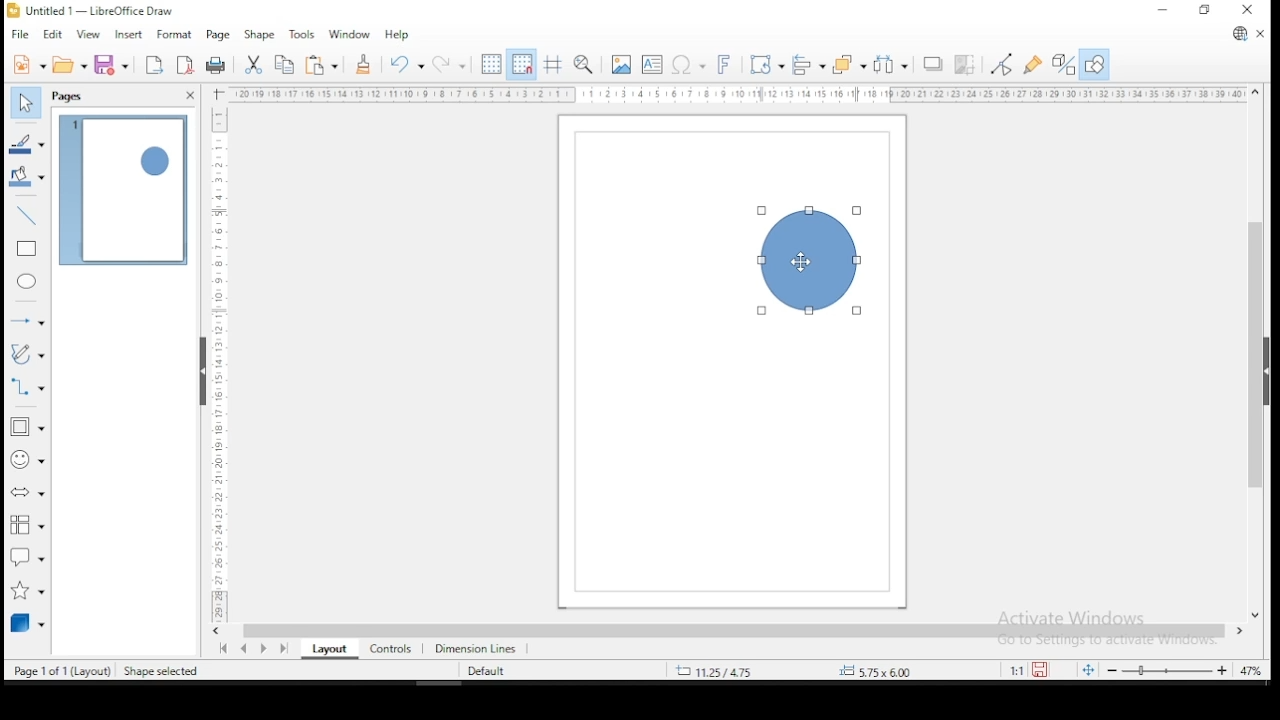 The height and width of the screenshot is (720, 1280). I want to click on zoom slider, so click(1166, 669).